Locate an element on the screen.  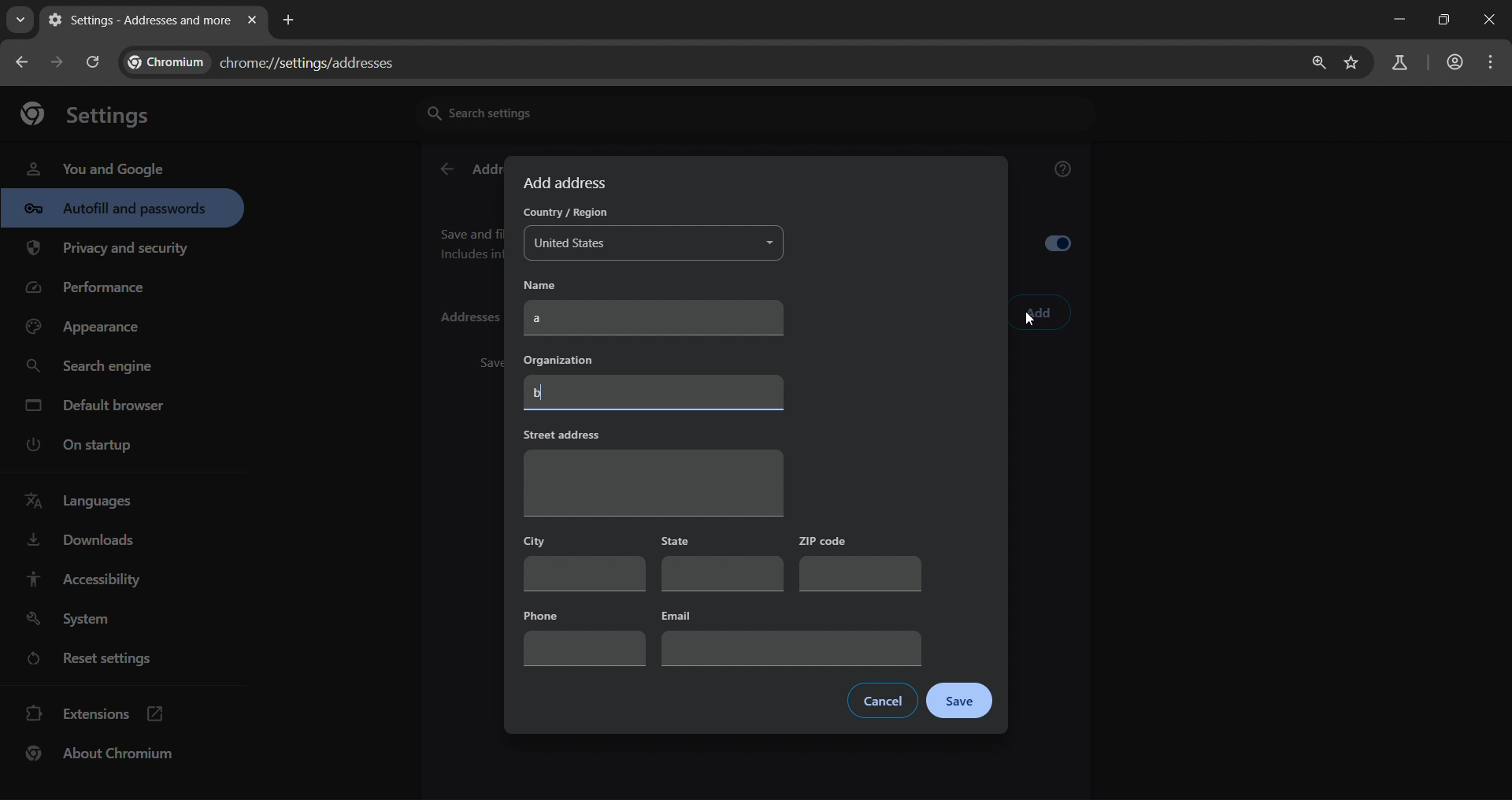
restore down is located at coordinates (1441, 20).